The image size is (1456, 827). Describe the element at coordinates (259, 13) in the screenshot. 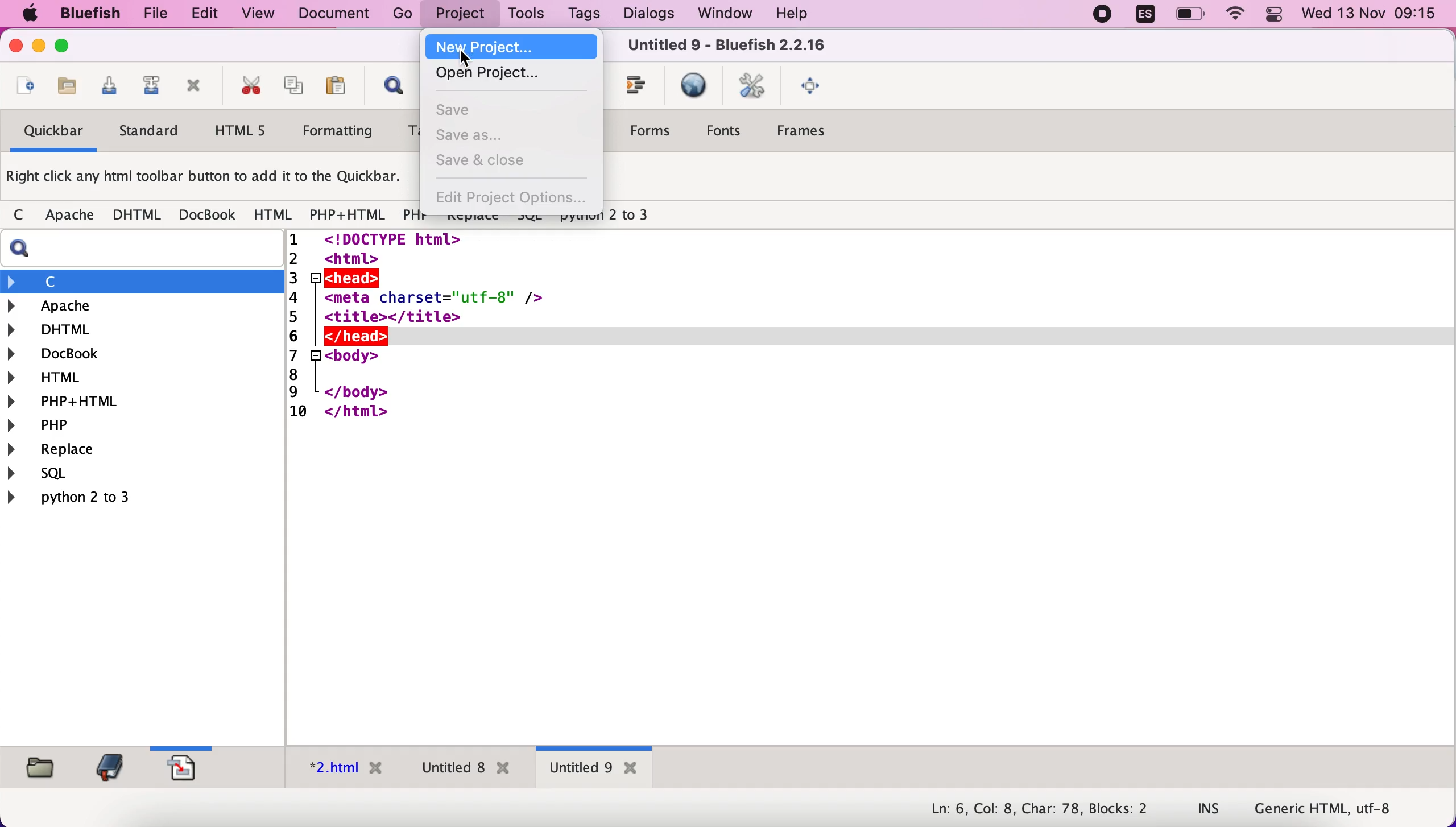

I see `view` at that location.